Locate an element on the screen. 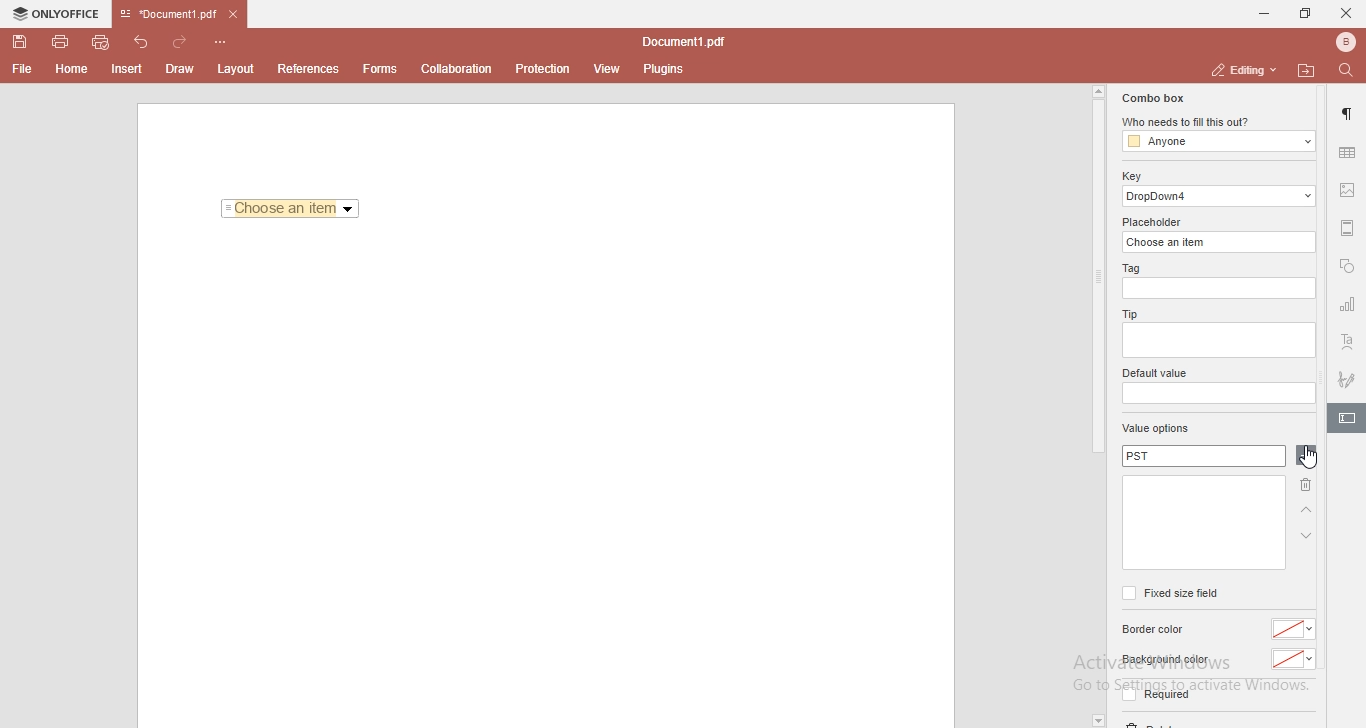  highlighted add button is located at coordinates (1306, 456).